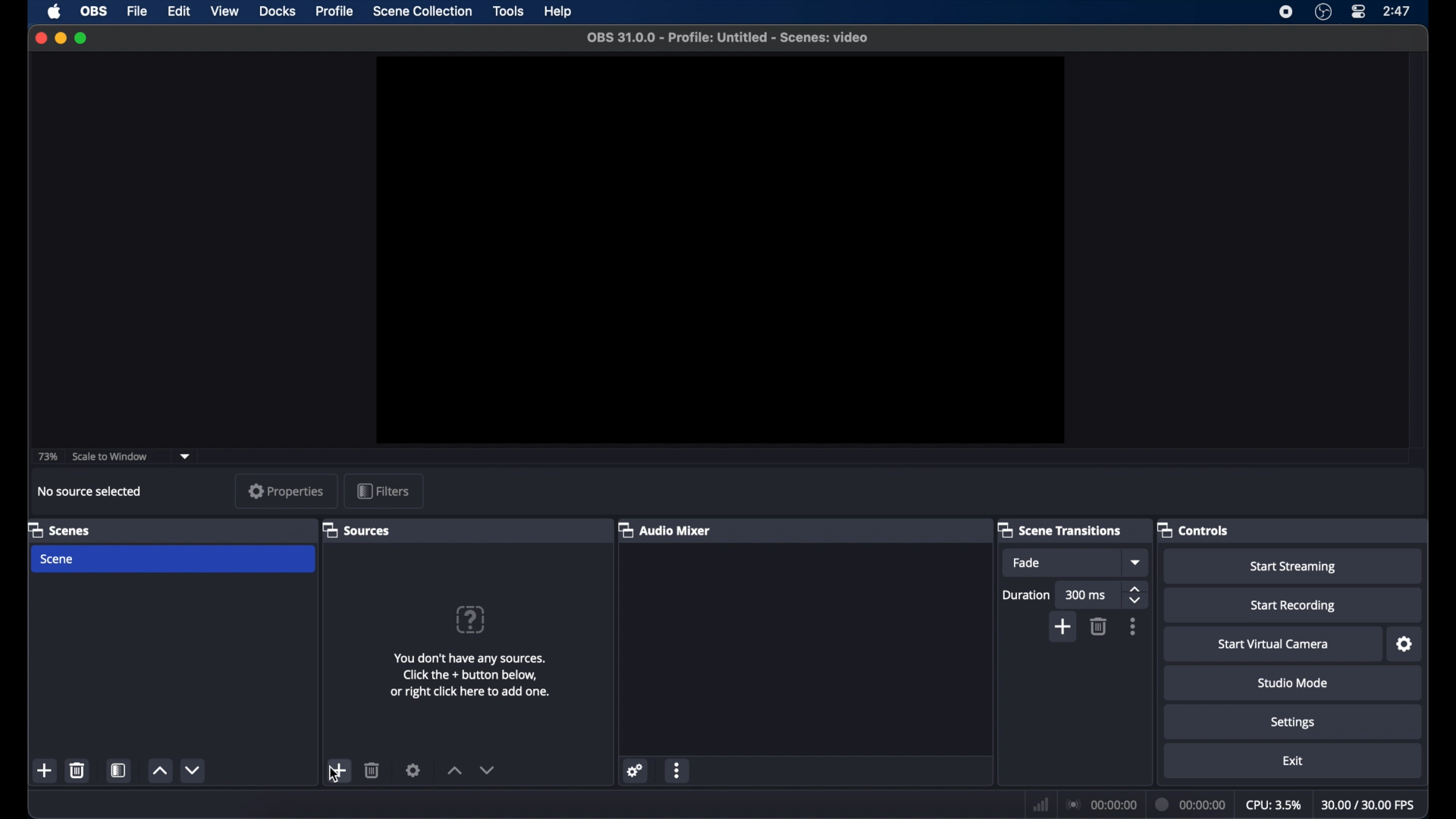  Describe the element at coordinates (1064, 626) in the screenshot. I see `add` at that location.